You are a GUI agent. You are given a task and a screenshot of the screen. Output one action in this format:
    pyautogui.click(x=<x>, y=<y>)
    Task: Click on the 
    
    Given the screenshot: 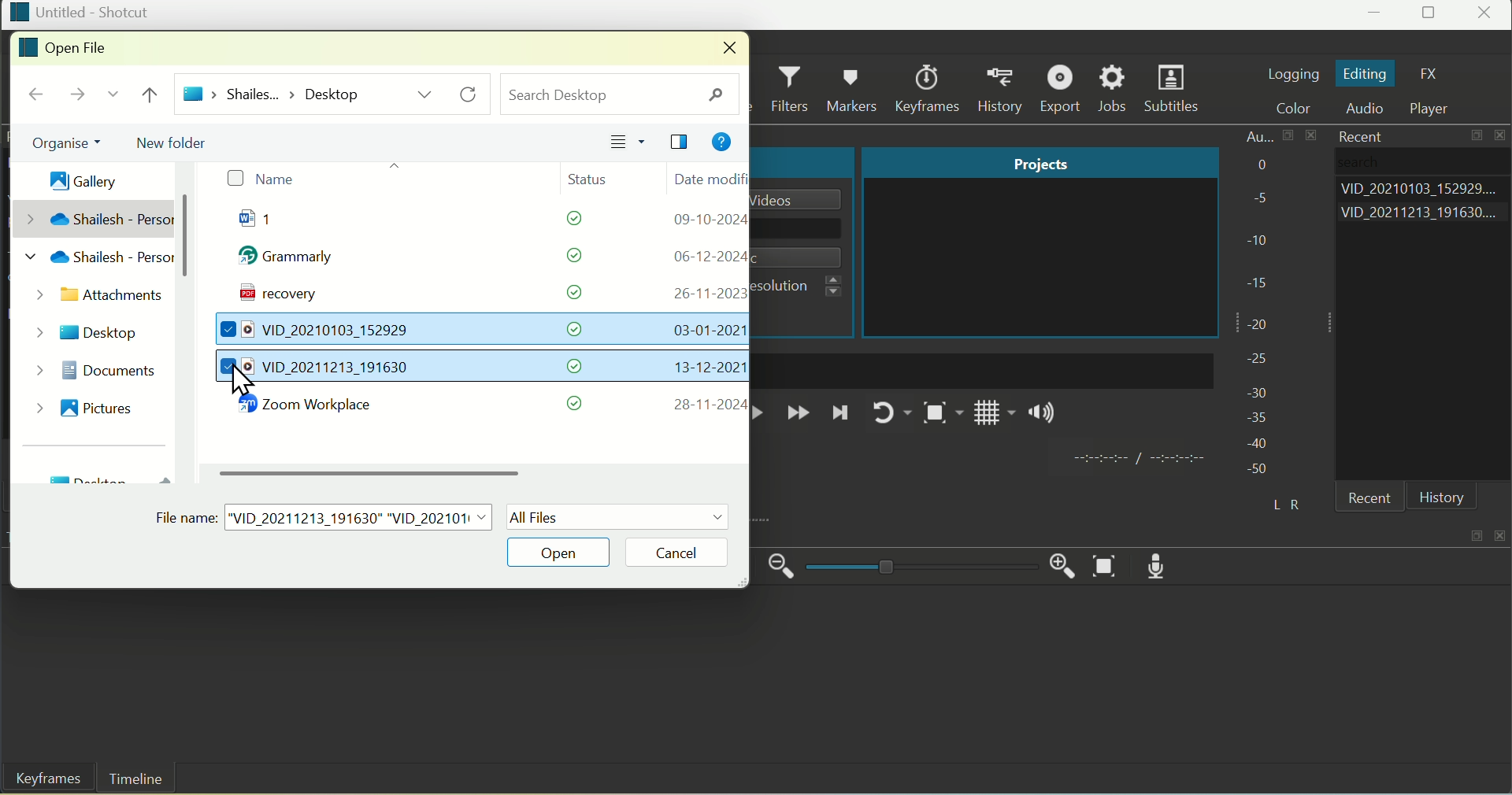 What is the action you would take?
    pyautogui.click(x=1432, y=74)
    